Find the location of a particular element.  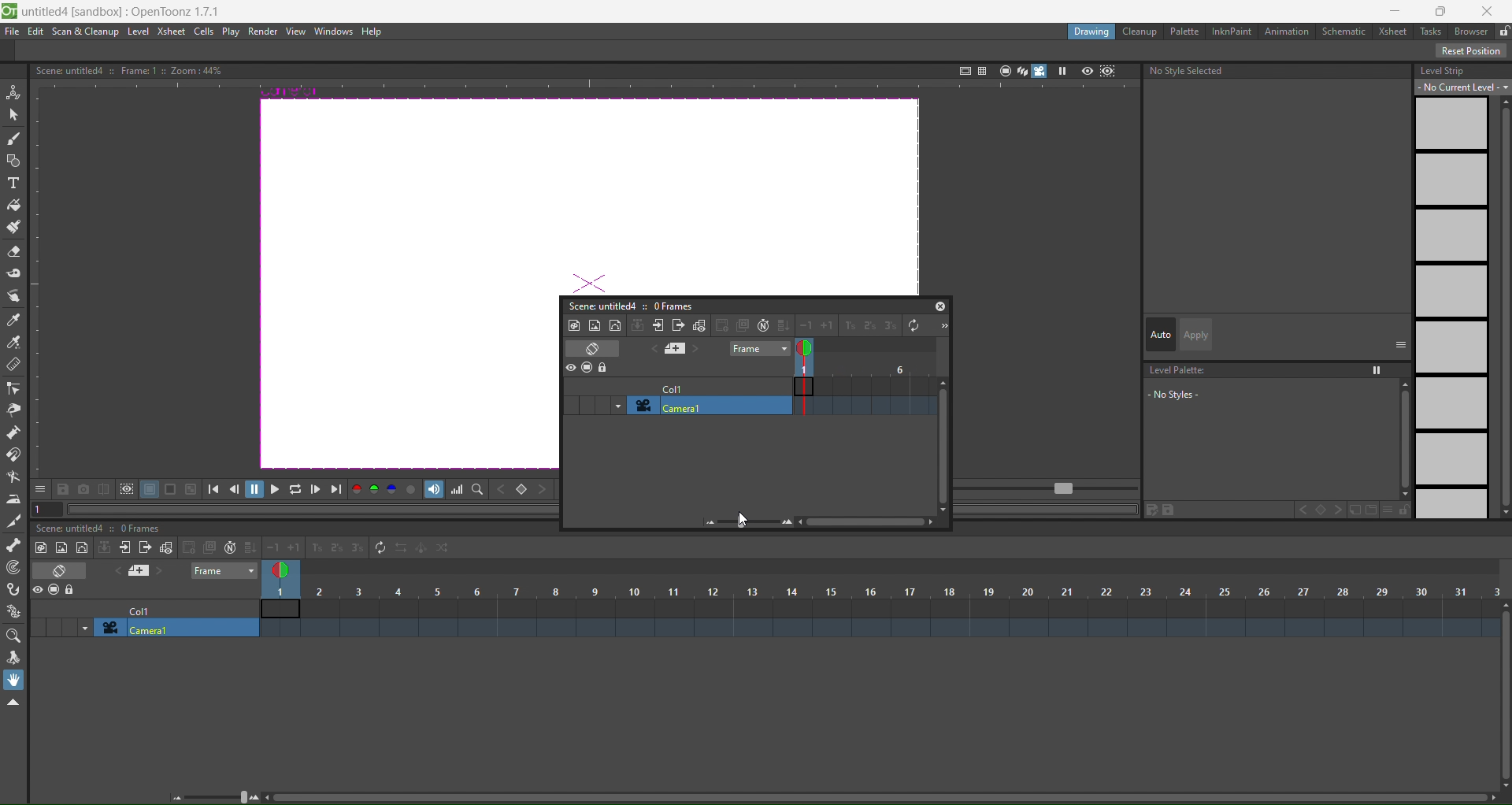

camera1 is located at coordinates (178, 629).